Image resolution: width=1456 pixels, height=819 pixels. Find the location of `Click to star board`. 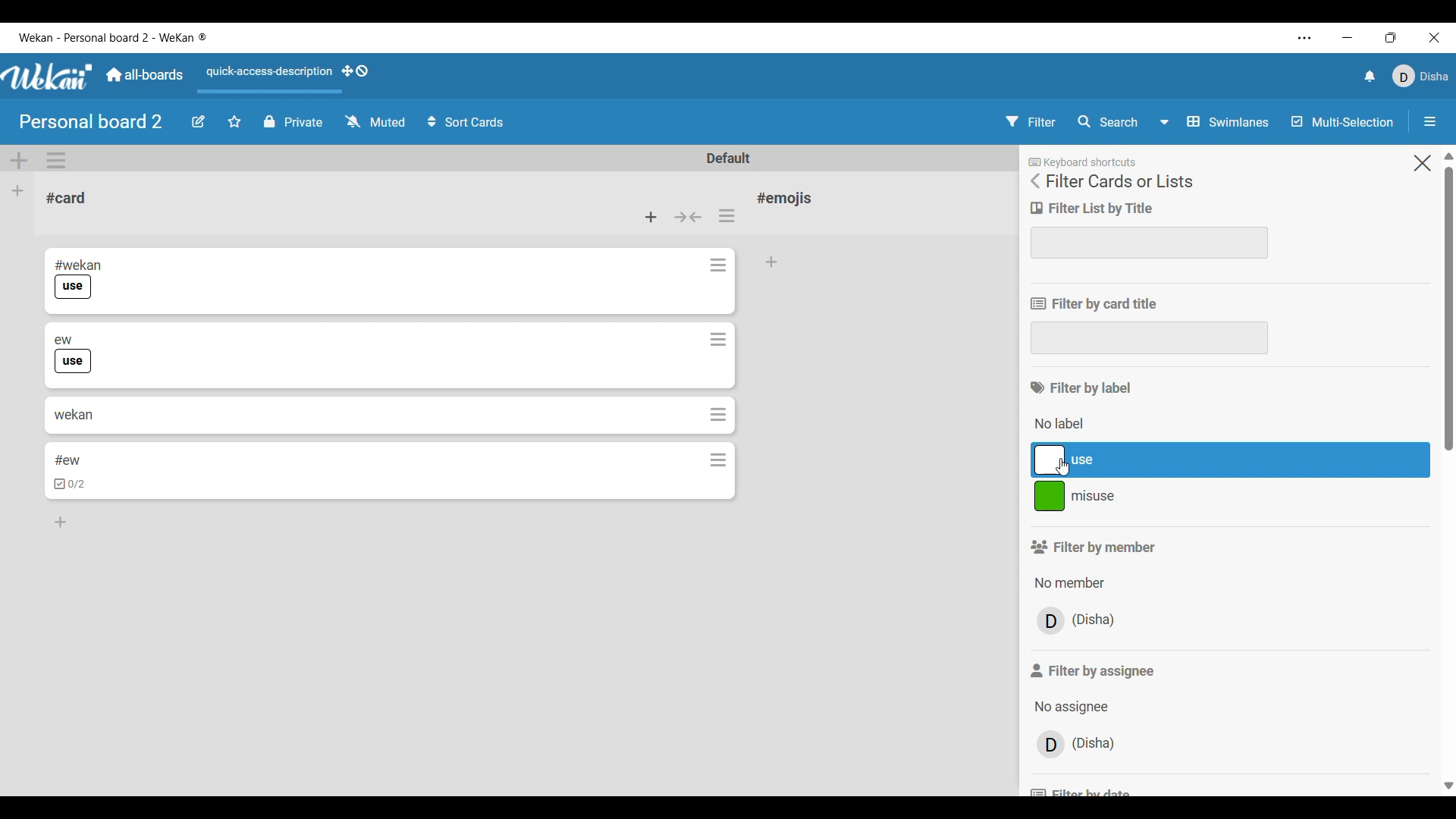

Click to star board is located at coordinates (234, 122).